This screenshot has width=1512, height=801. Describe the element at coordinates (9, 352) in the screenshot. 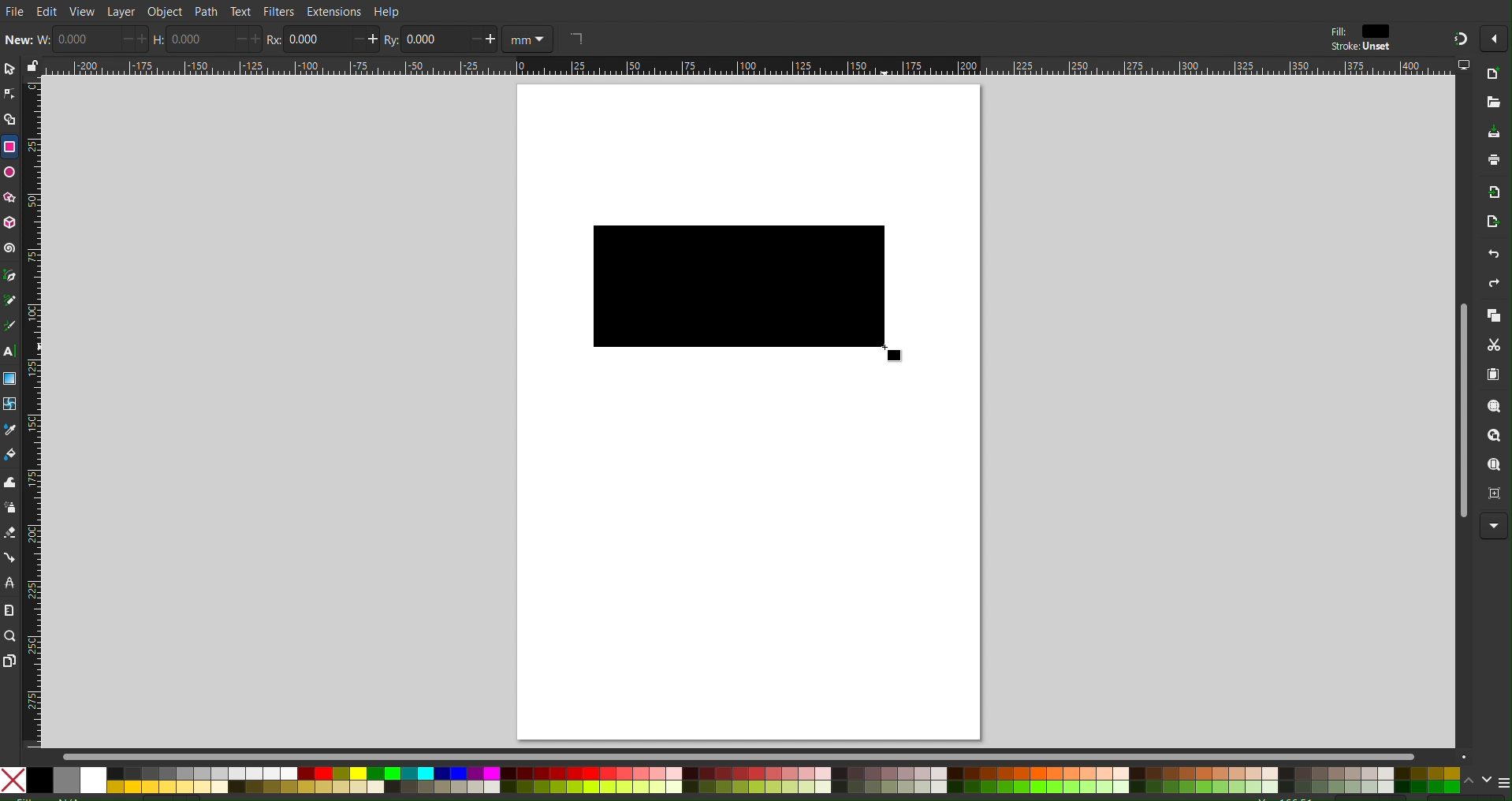

I see `Text Tool` at that location.